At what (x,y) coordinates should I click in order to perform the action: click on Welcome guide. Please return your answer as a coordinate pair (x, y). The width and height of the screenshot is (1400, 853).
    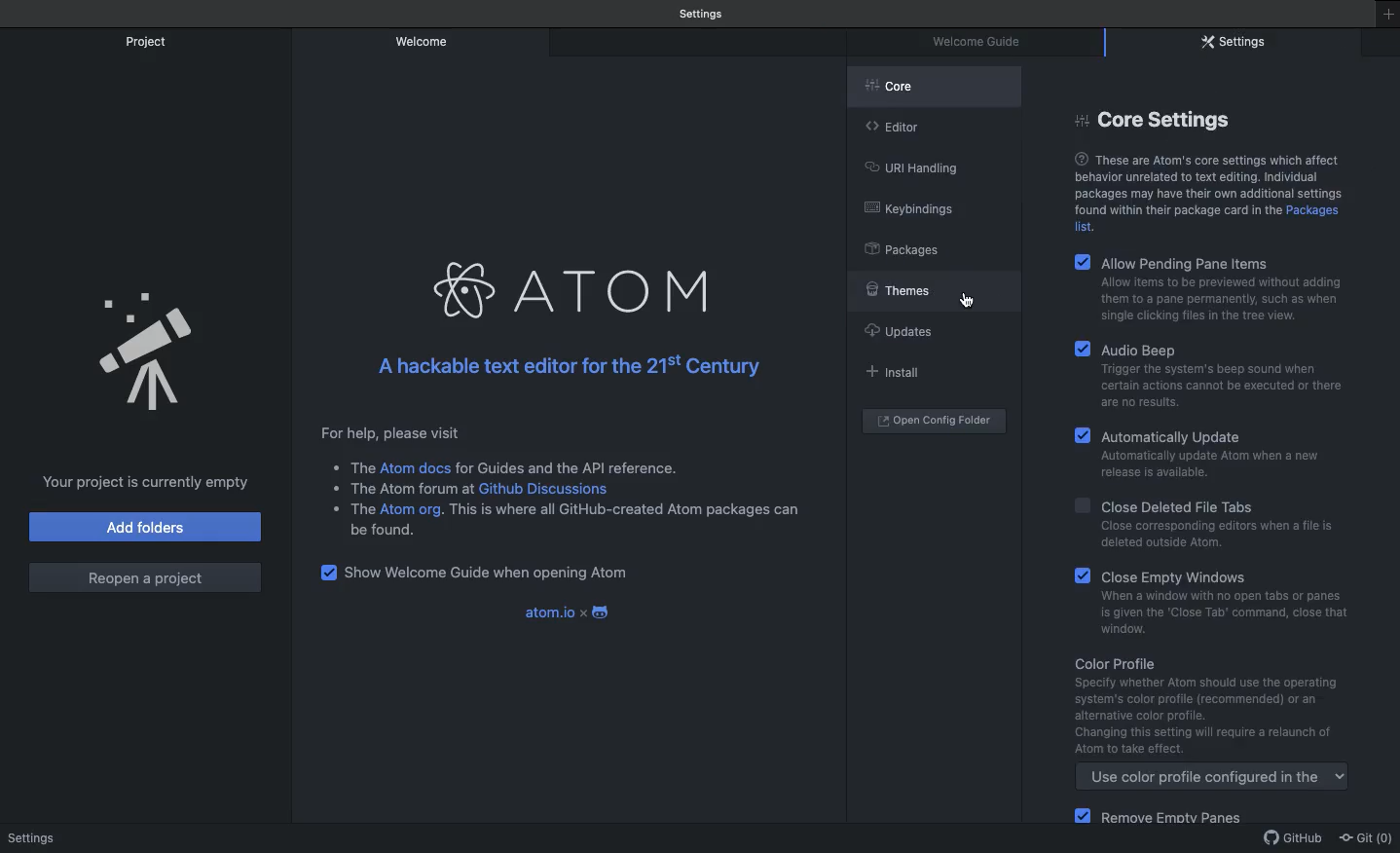
    Looking at the image, I should click on (983, 41).